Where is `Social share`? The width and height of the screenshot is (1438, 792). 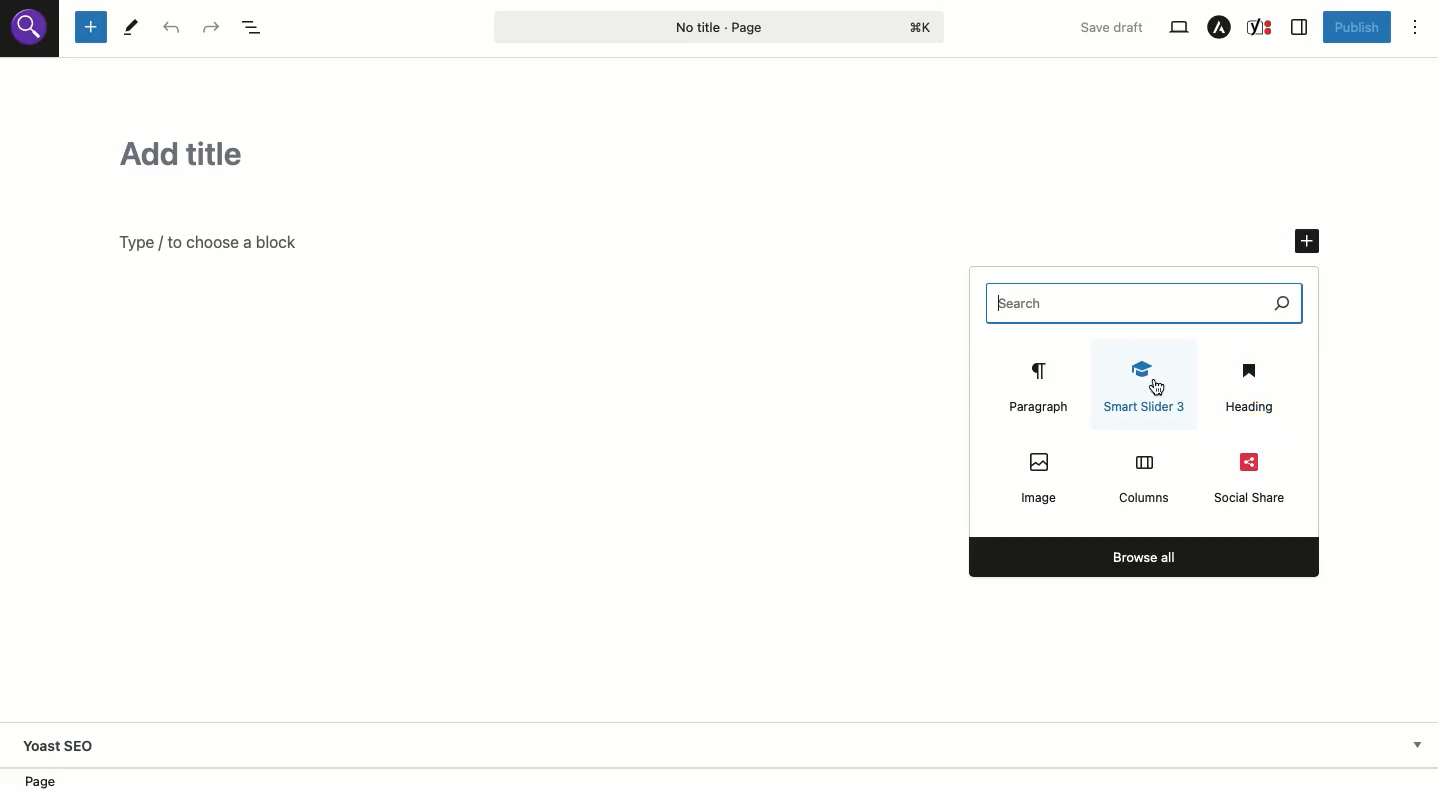 Social share is located at coordinates (1253, 477).